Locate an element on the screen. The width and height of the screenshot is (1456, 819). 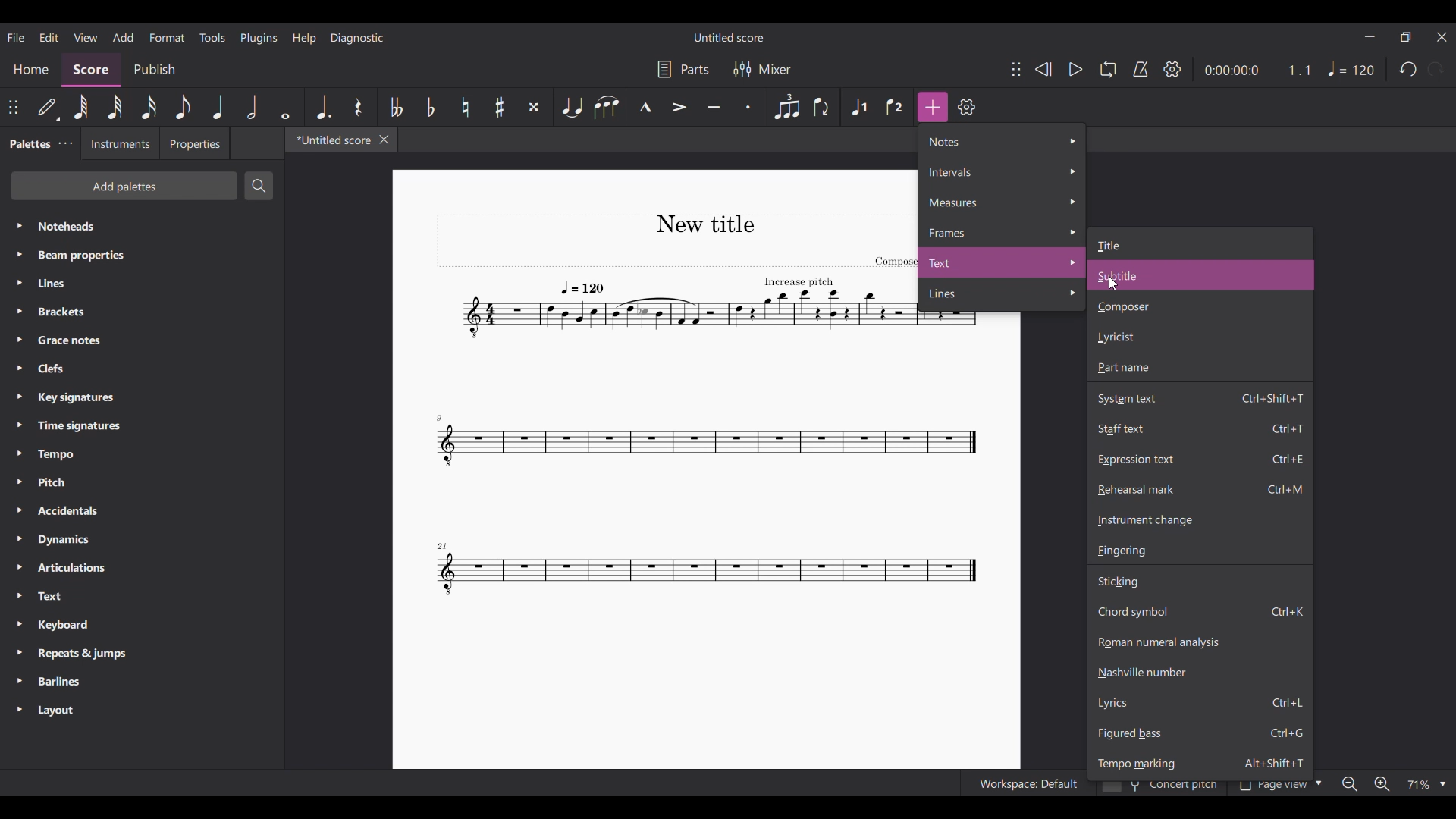
Layout is located at coordinates (143, 711).